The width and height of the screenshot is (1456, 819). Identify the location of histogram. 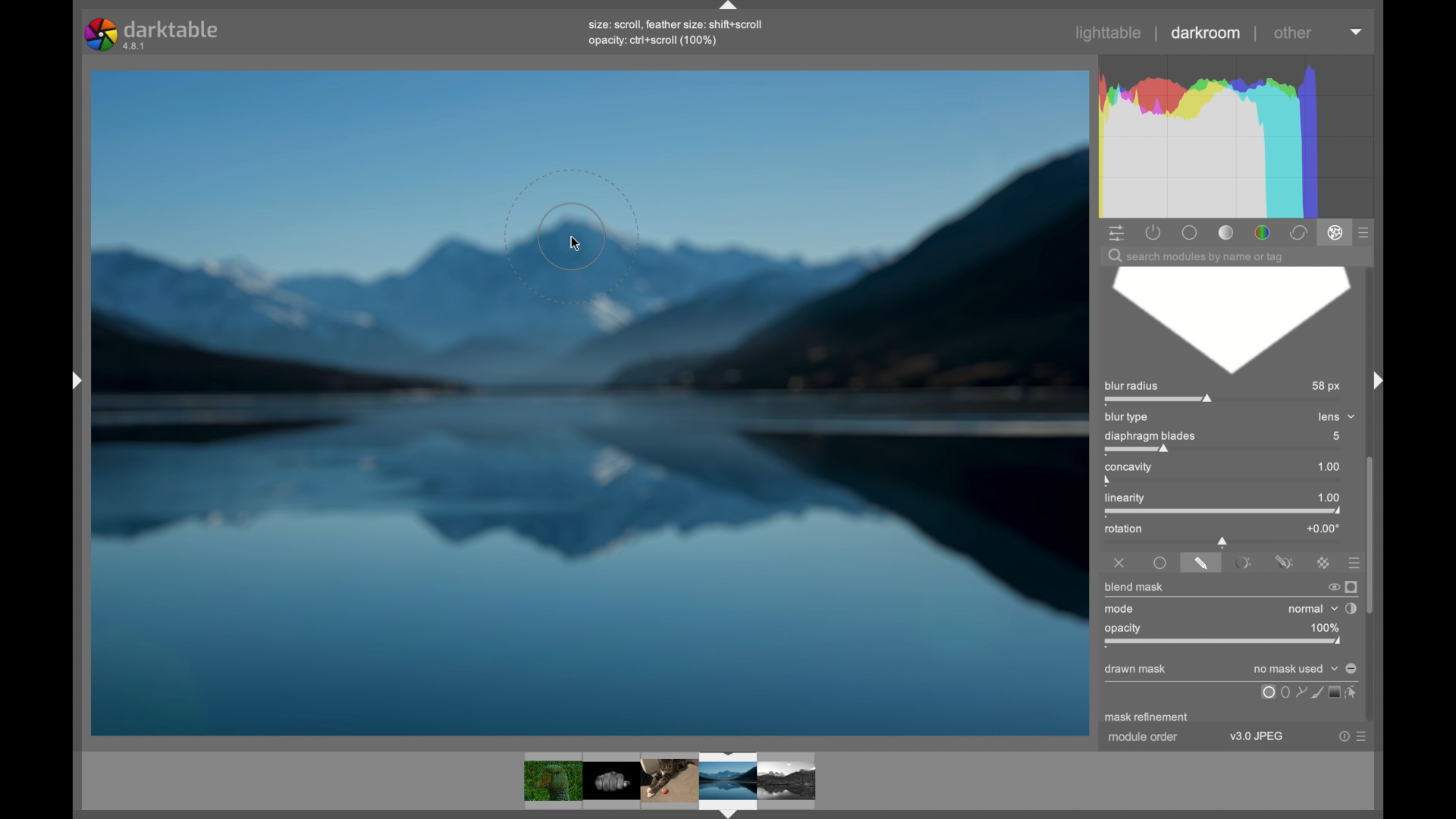
(1241, 135).